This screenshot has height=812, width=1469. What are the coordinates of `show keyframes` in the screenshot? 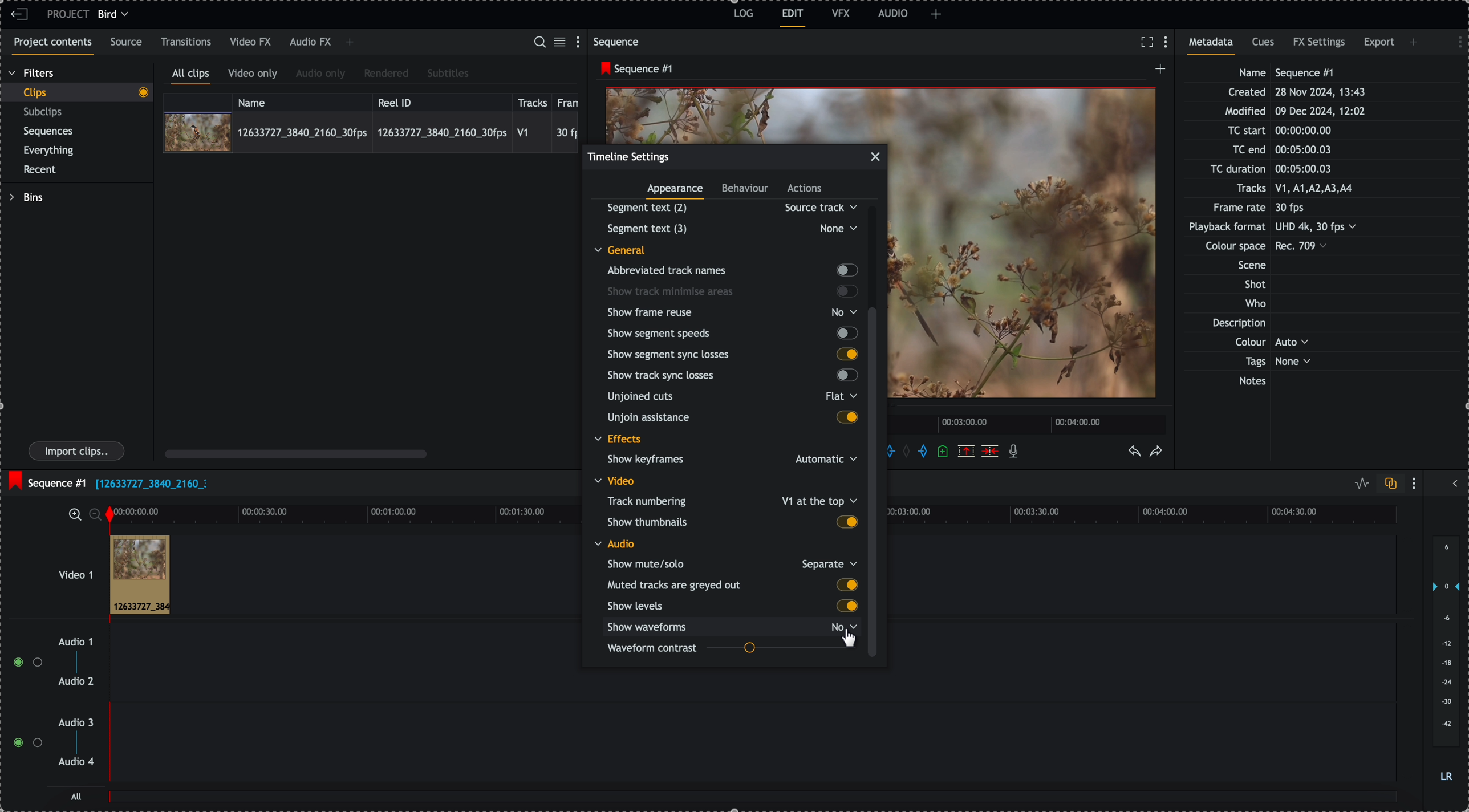 It's located at (727, 461).